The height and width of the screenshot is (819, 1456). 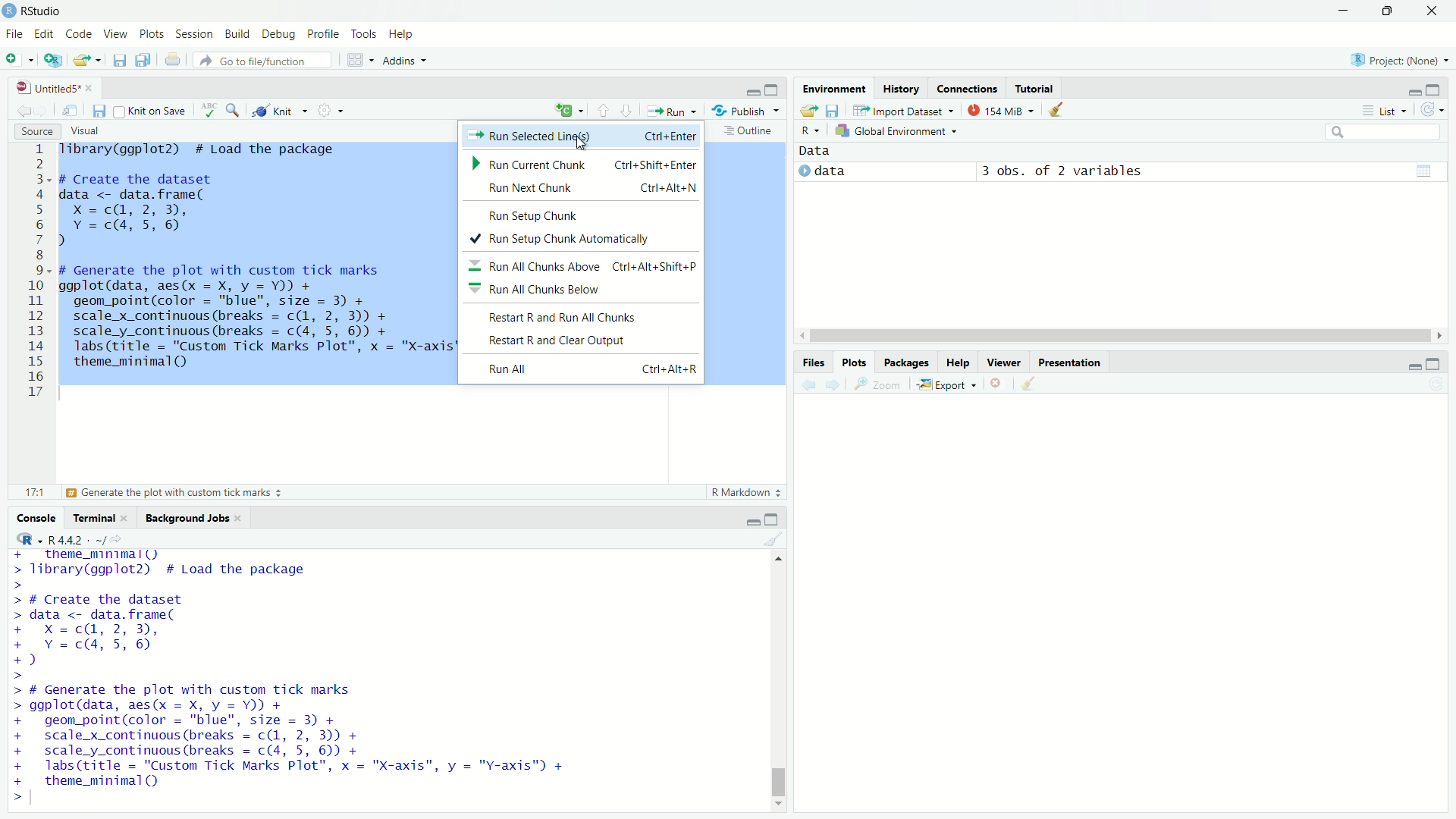 What do you see at coordinates (404, 33) in the screenshot?
I see `help` at bounding box center [404, 33].